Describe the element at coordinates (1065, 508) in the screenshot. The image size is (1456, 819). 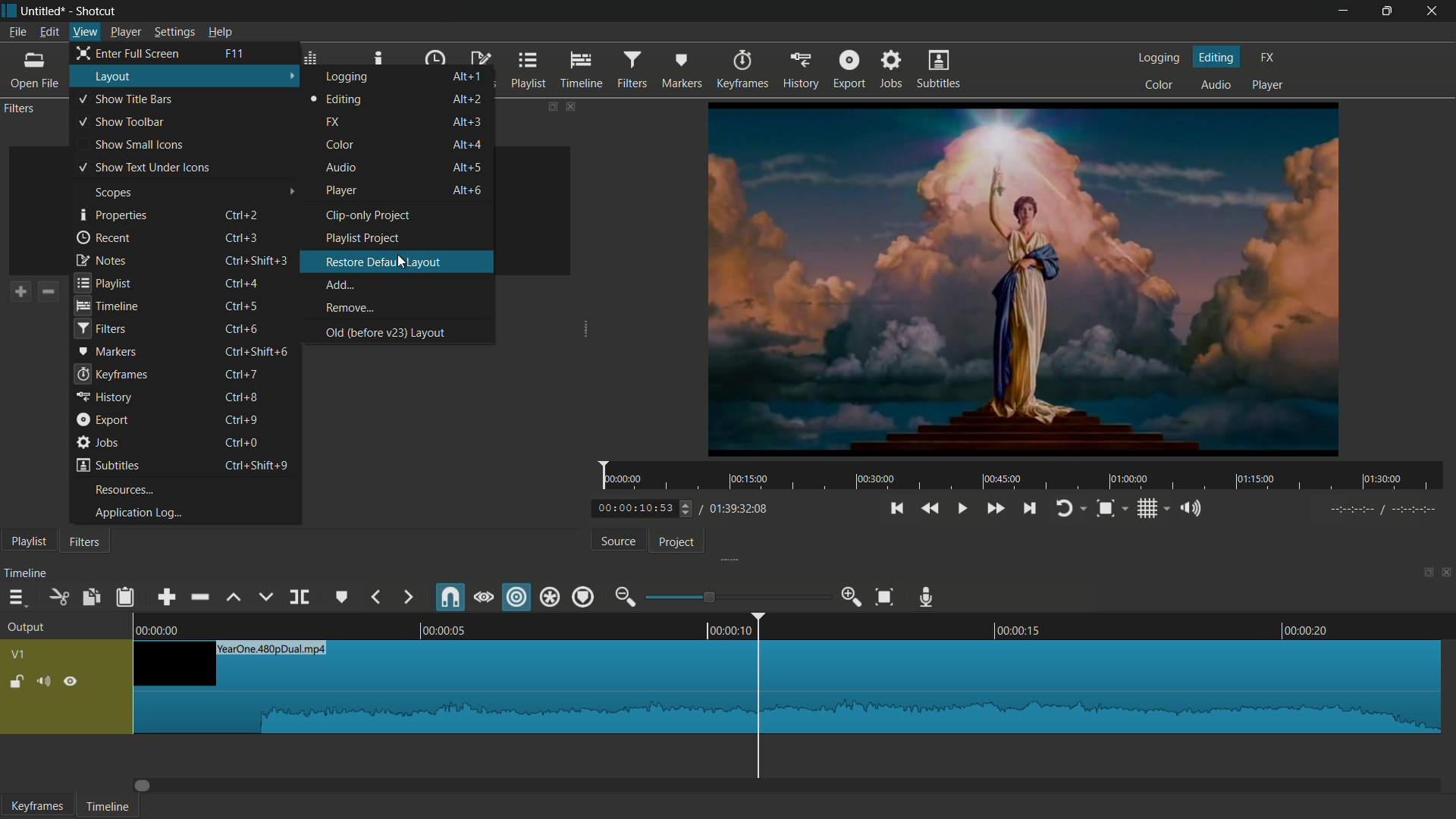
I see `toggle player looping` at that location.